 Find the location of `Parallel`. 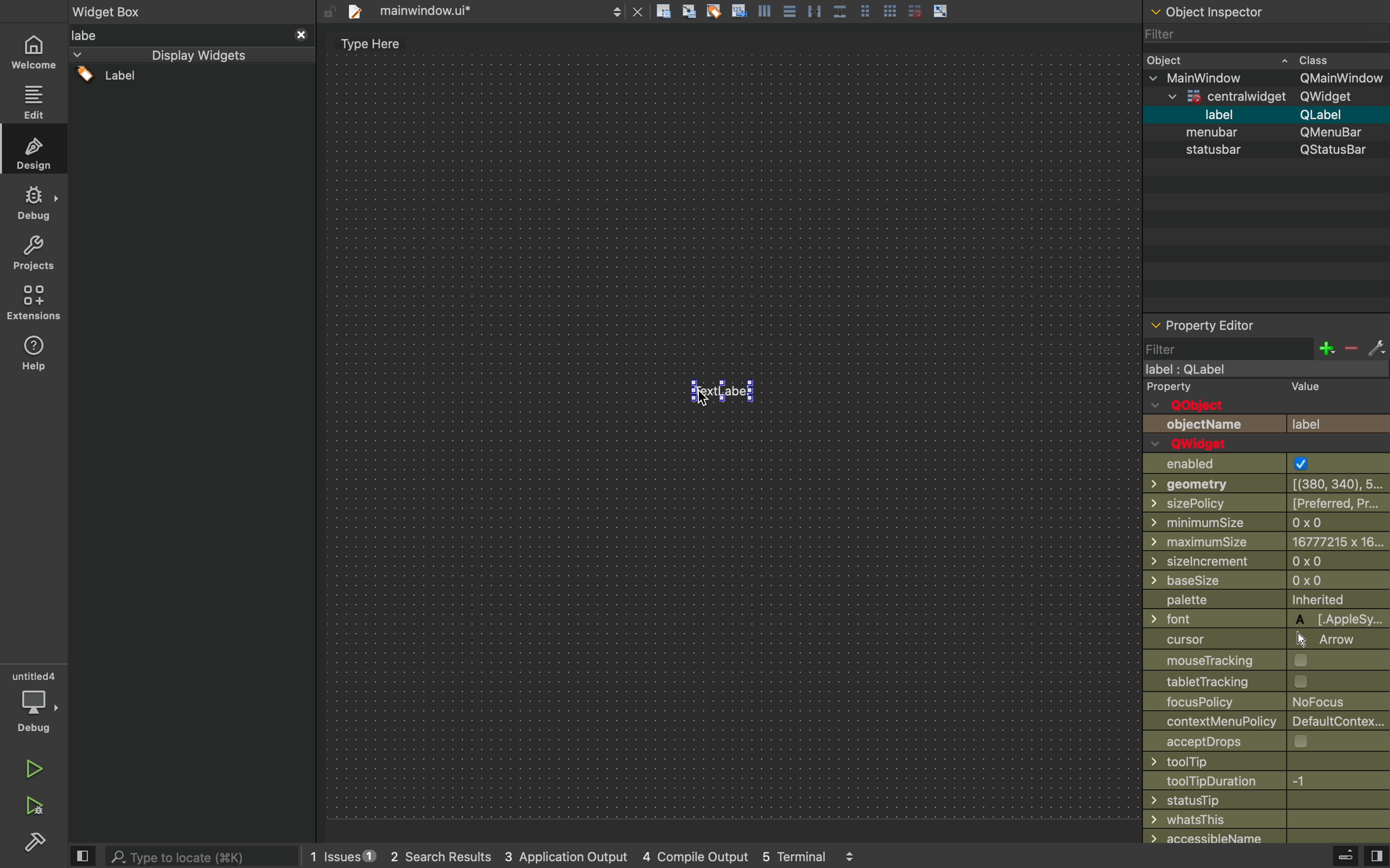

Parallel is located at coordinates (817, 11).